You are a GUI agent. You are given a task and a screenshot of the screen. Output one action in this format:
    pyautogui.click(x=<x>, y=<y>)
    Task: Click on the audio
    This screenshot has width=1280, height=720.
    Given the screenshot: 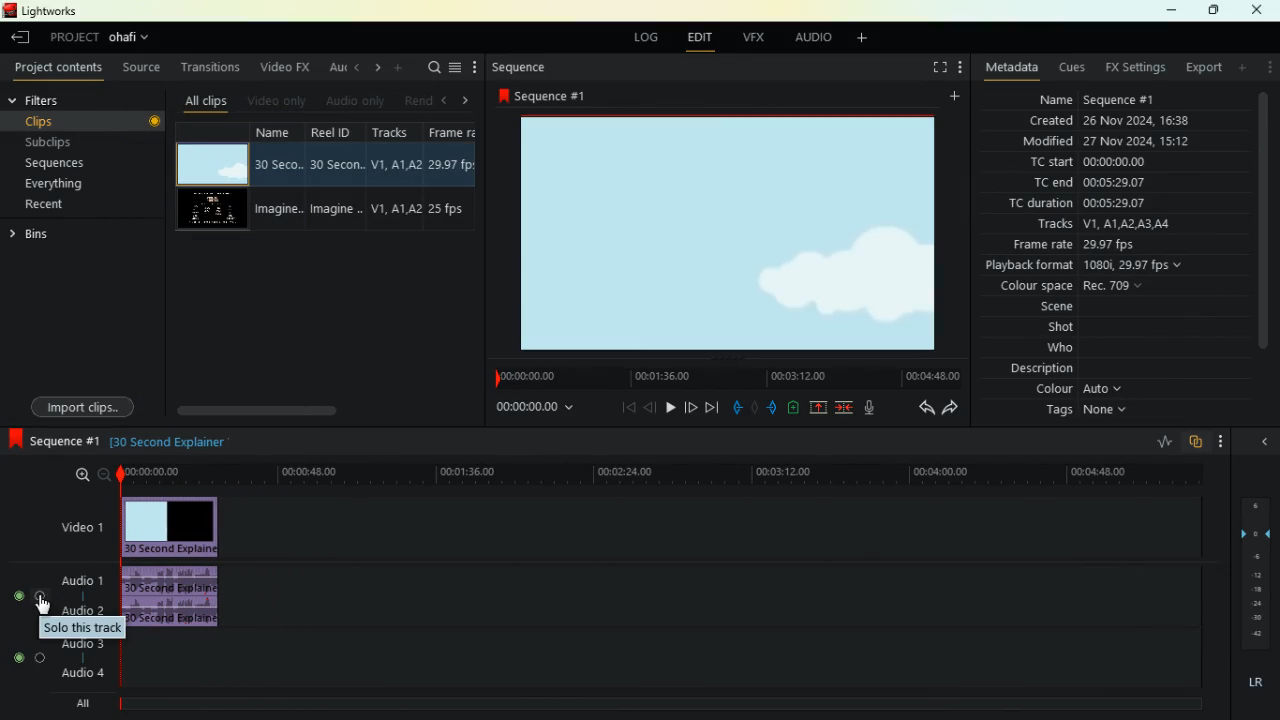 What is the action you would take?
    pyautogui.click(x=81, y=582)
    